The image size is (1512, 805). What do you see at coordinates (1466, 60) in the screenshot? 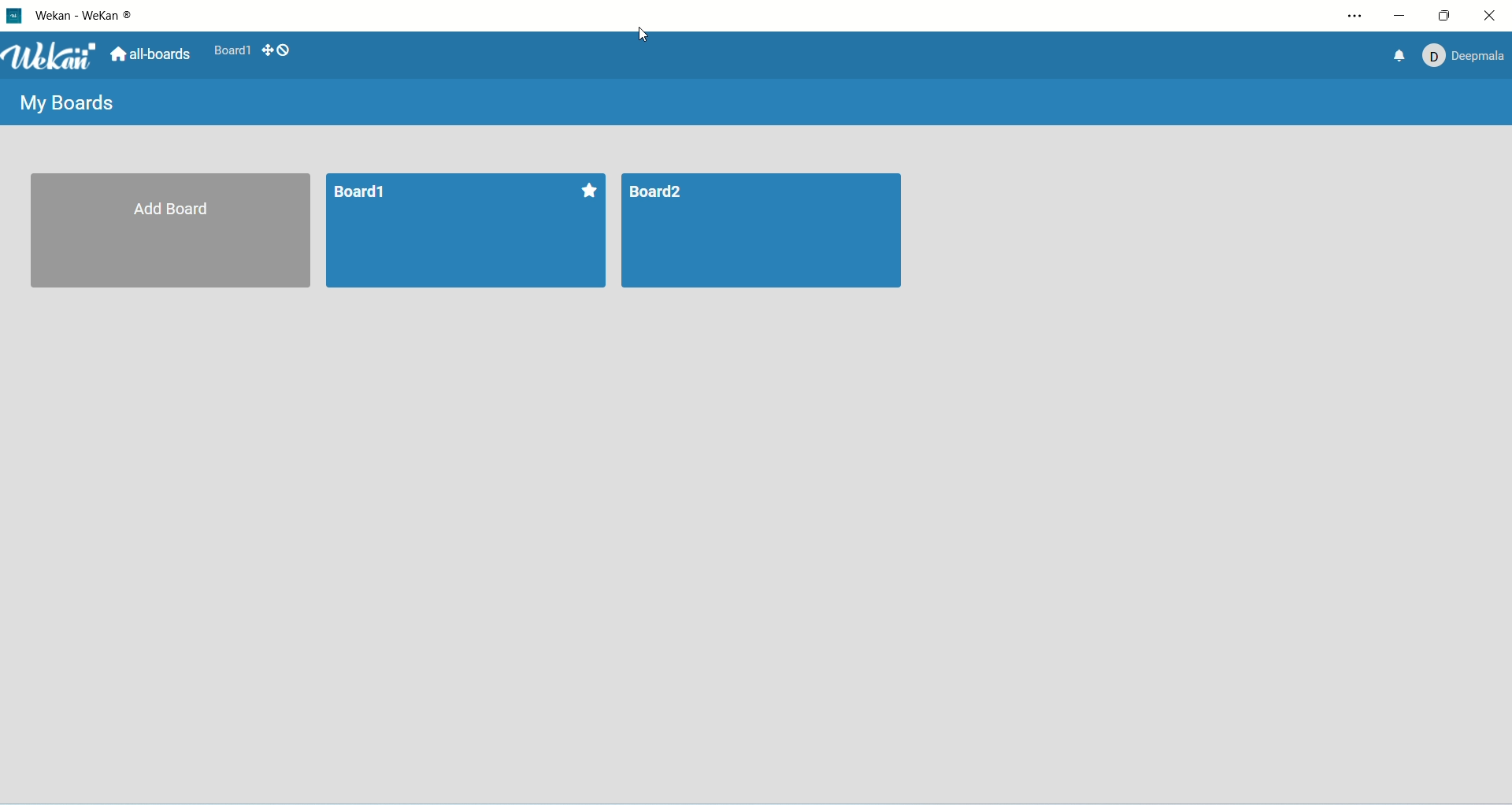
I see `account` at bounding box center [1466, 60].